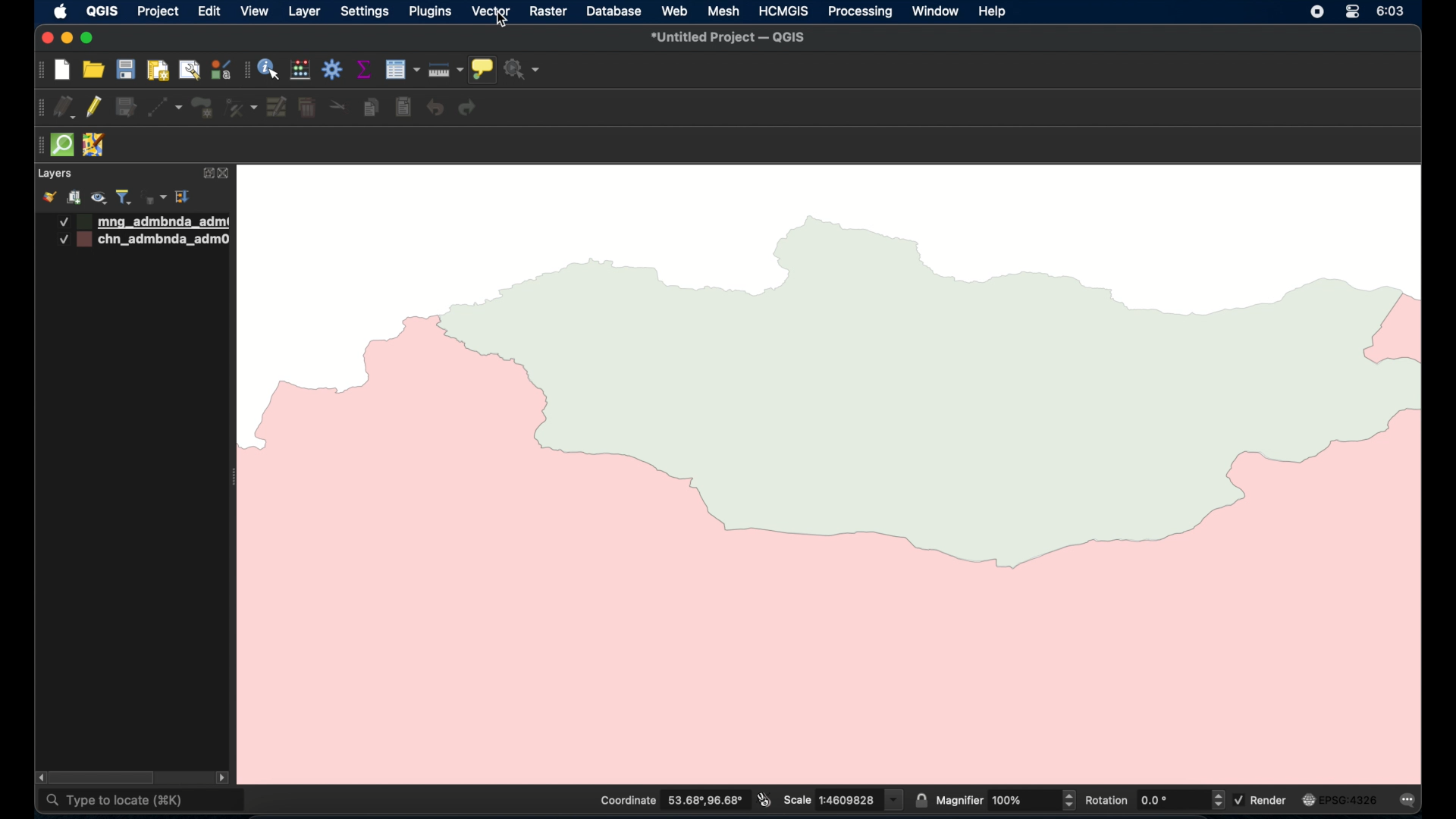  I want to click on toolbox, so click(333, 69).